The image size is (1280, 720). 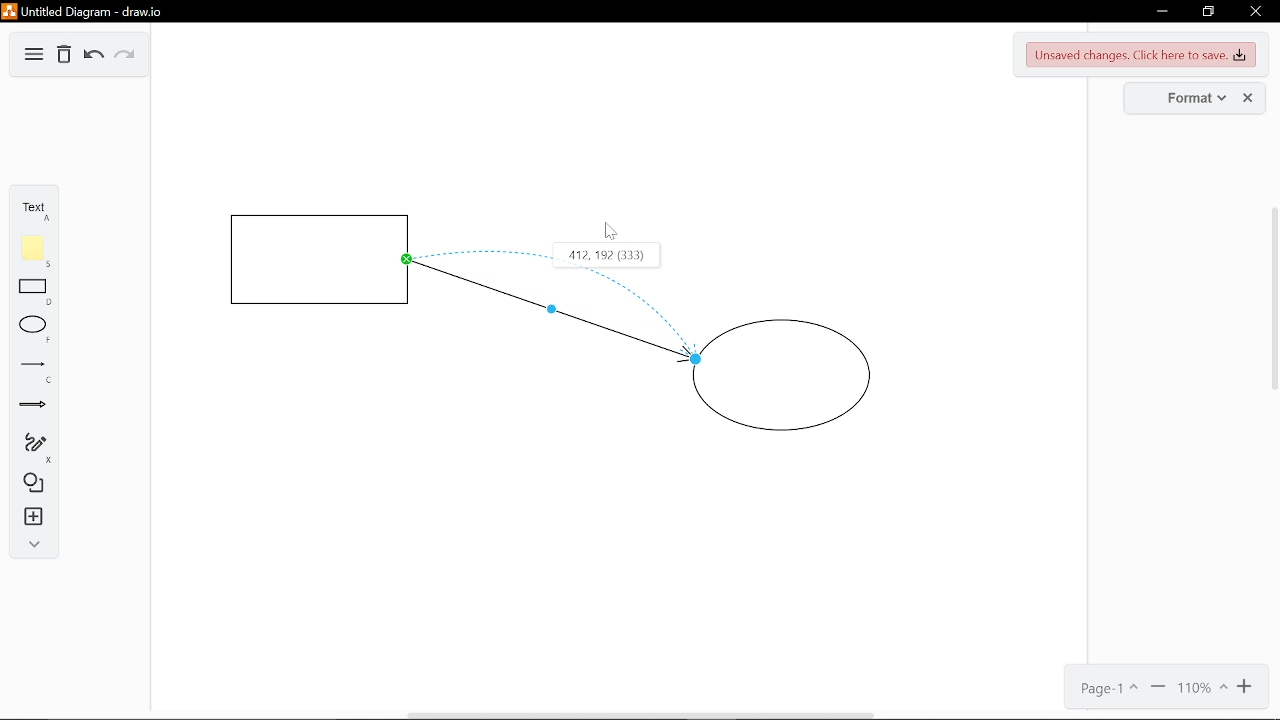 I want to click on Note, so click(x=33, y=248).